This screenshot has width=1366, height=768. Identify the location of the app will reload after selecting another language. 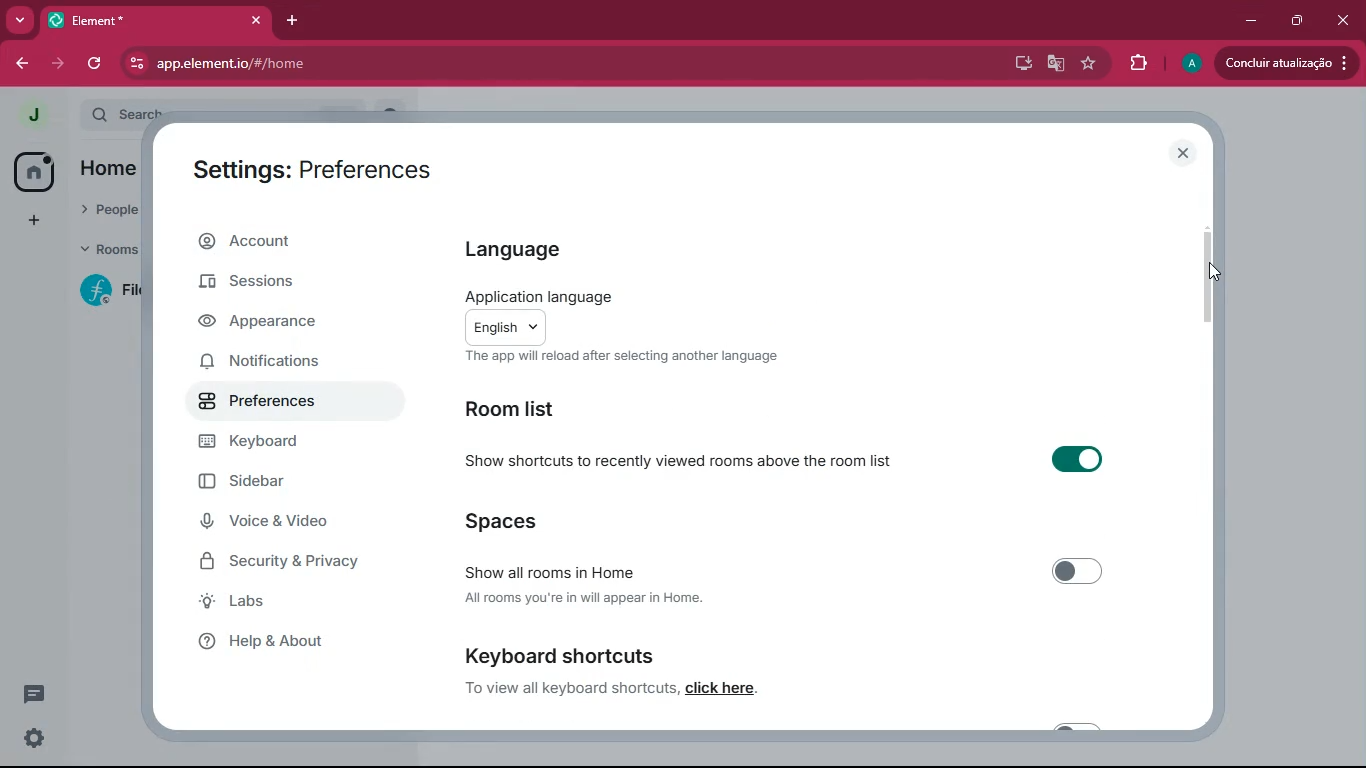
(622, 358).